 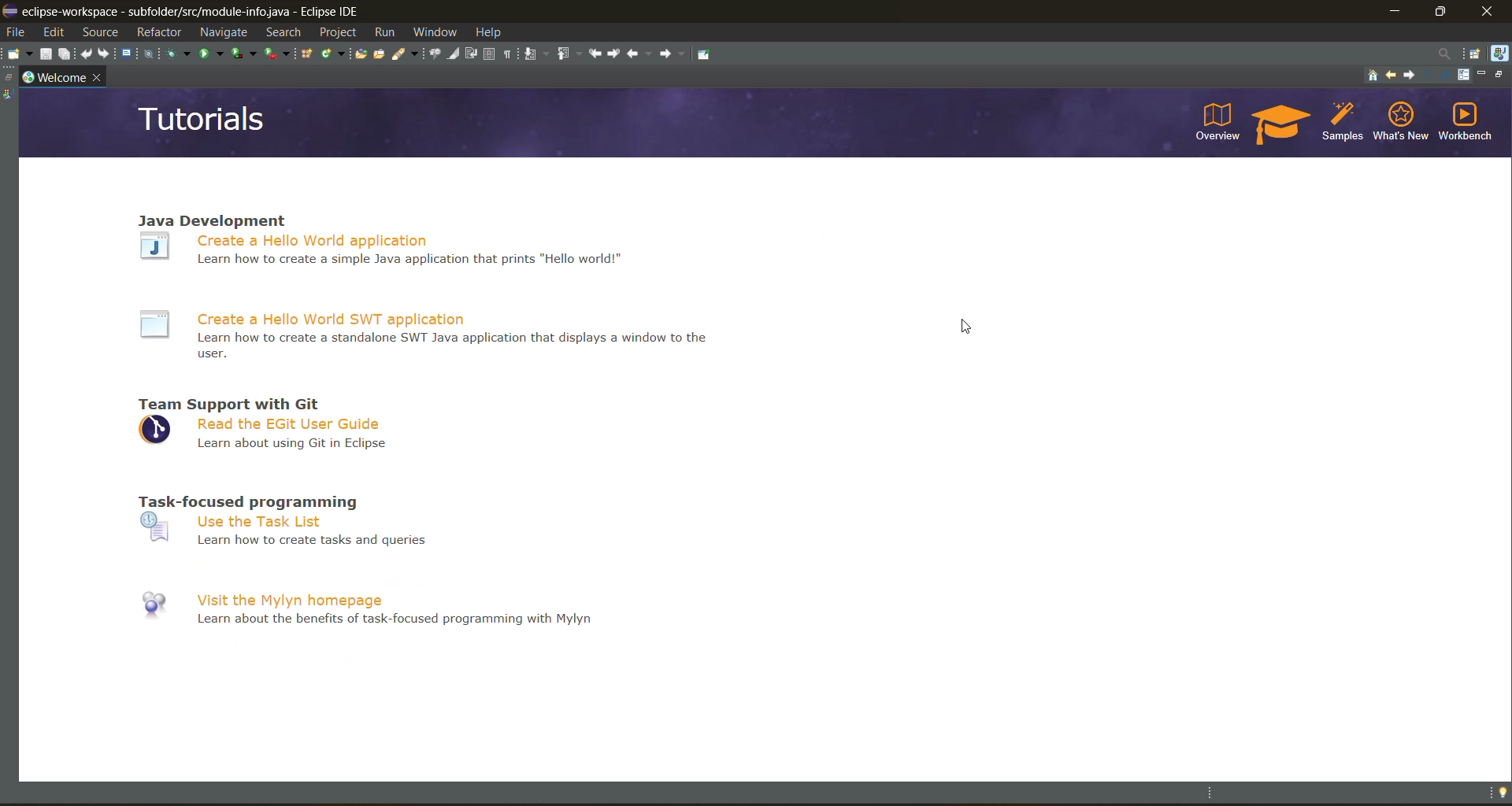 I want to click on toggle block selection, so click(x=493, y=55).